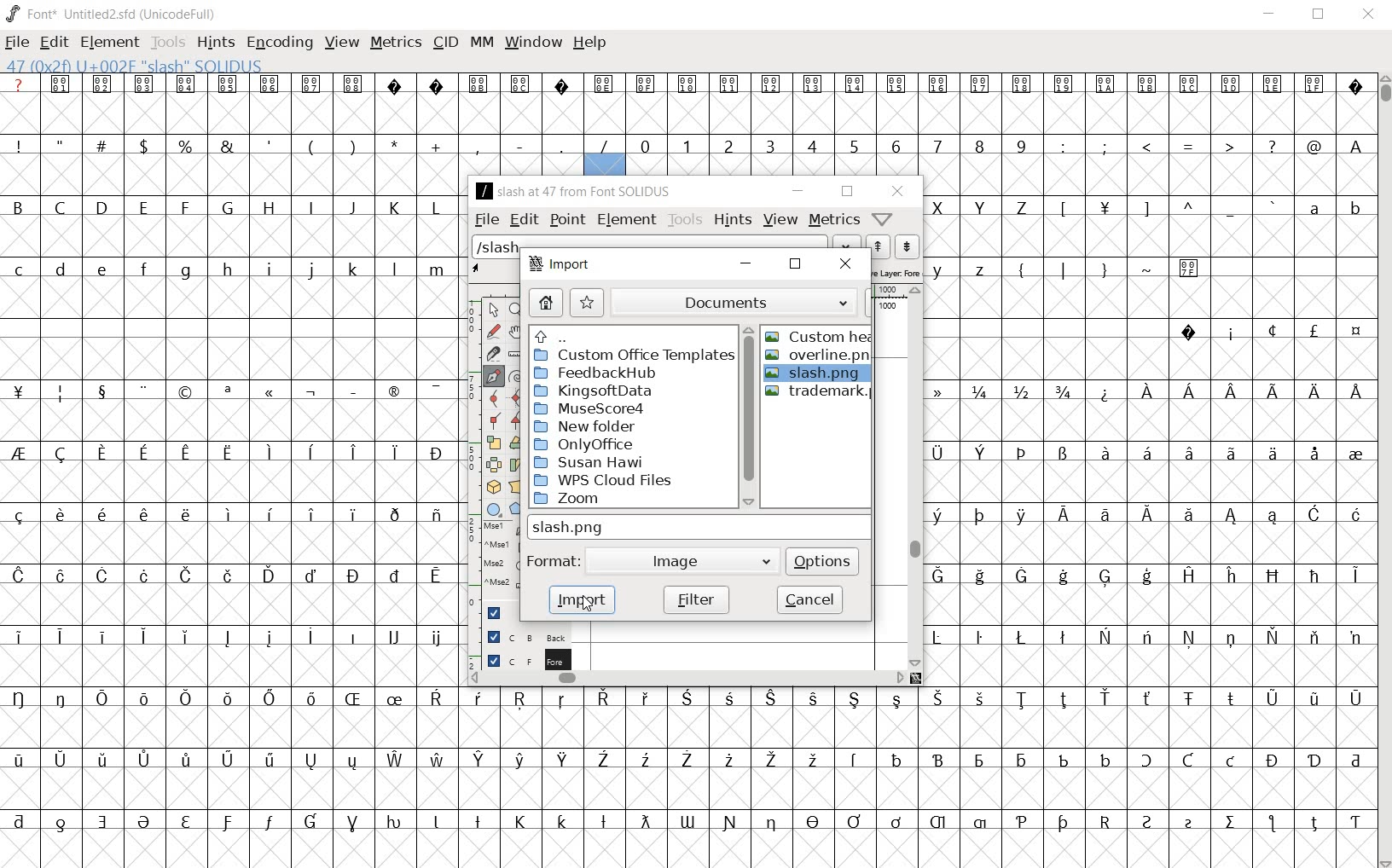 Image resolution: width=1392 pixels, height=868 pixels. Describe the element at coordinates (1147, 574) in the screenshot. I see `special letters` at that location.